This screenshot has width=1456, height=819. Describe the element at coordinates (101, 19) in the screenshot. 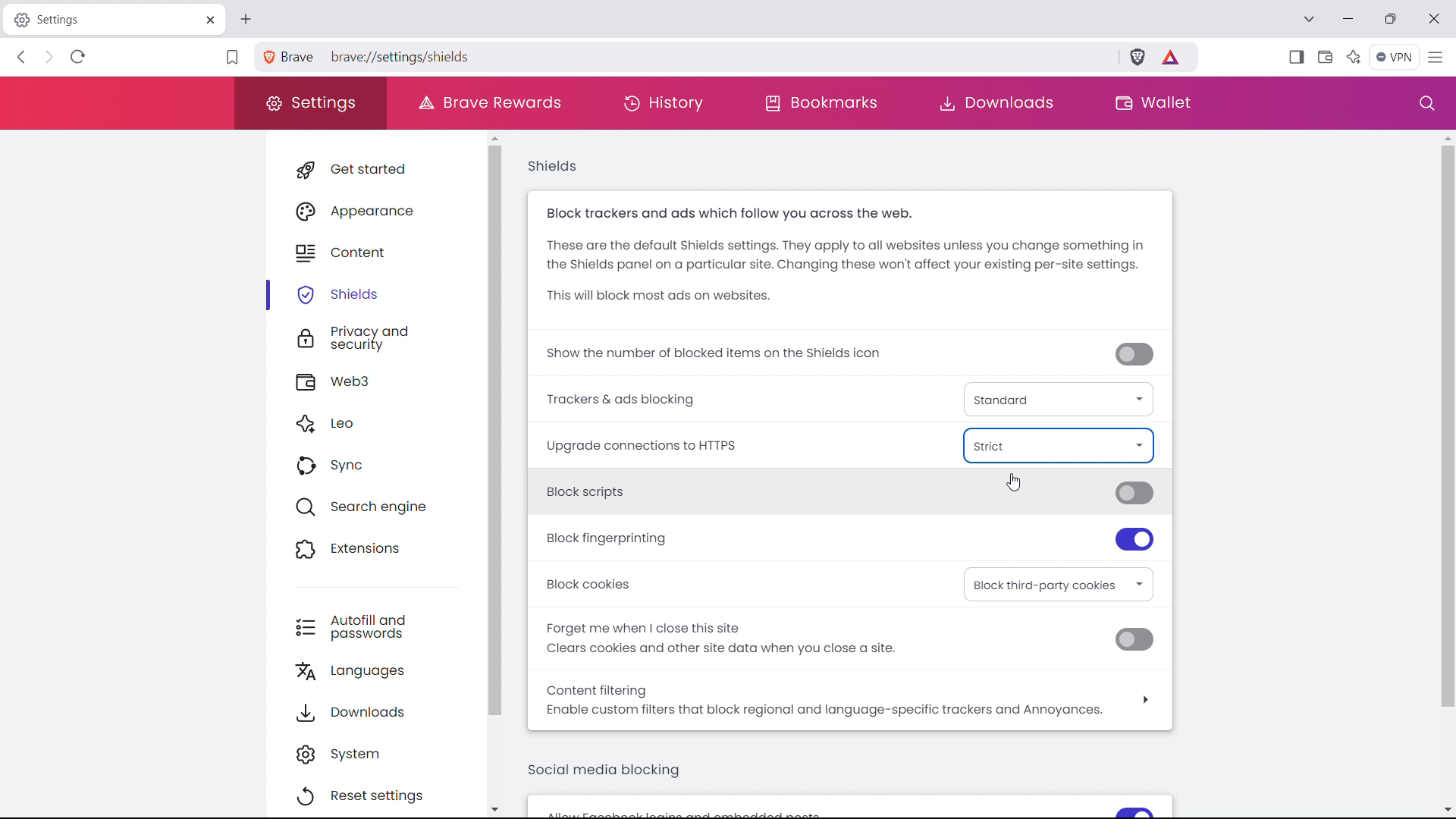

I see `tabtitle` at that location.